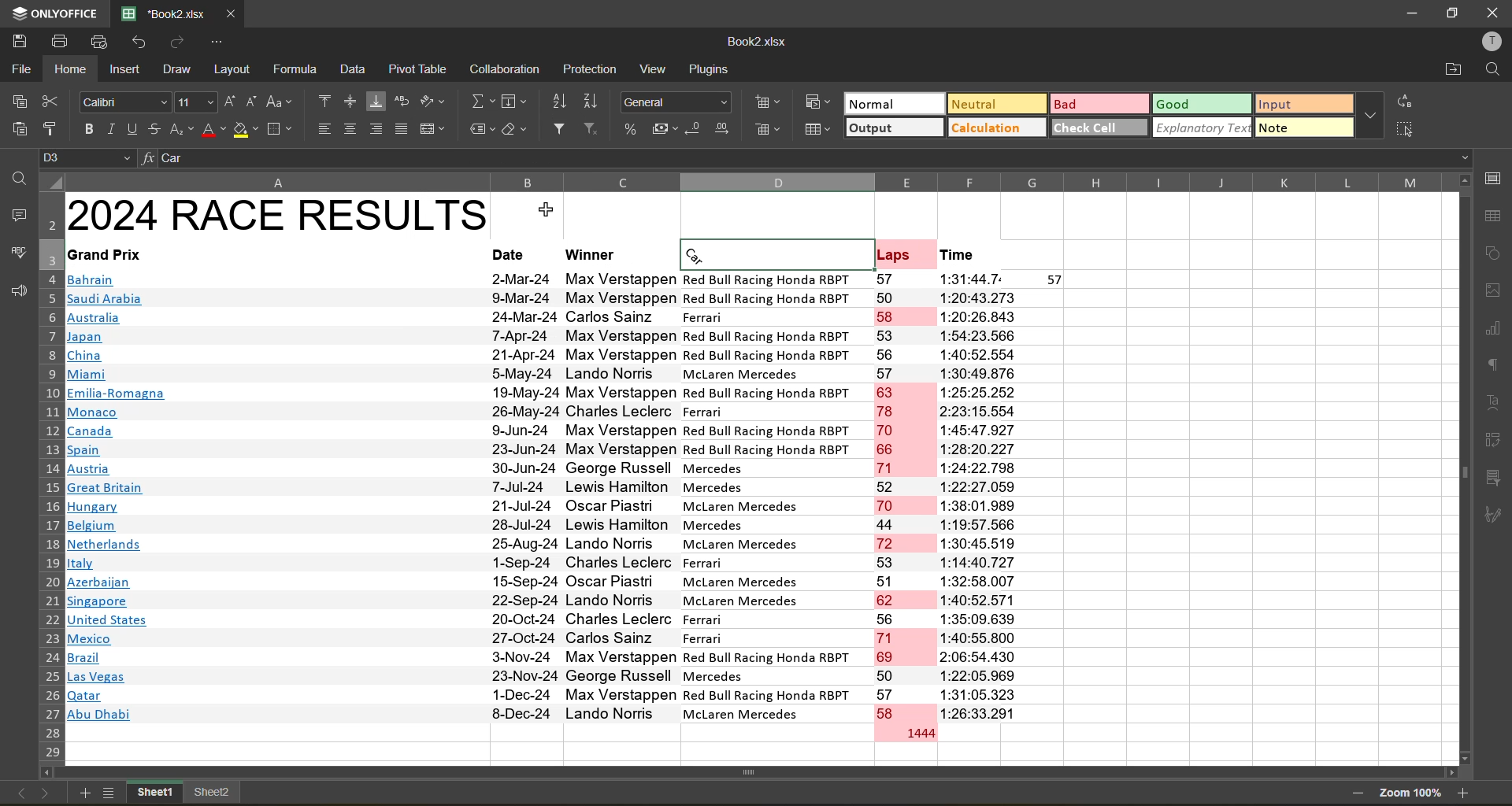 The image size is (1512, 806). I want to click on conditional formatting, so click(817, 100).